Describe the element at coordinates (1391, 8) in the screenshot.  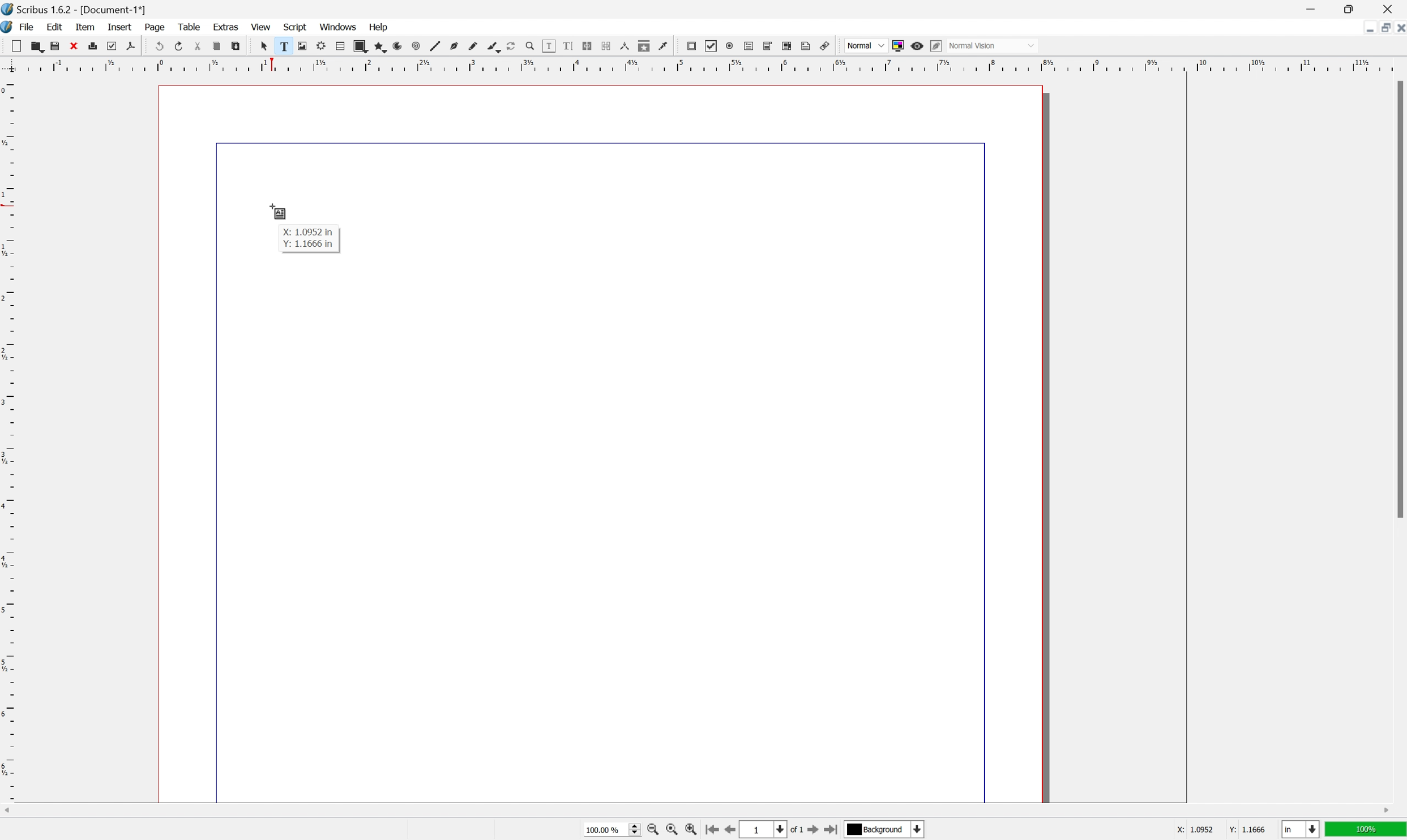
I see `close` at that location.